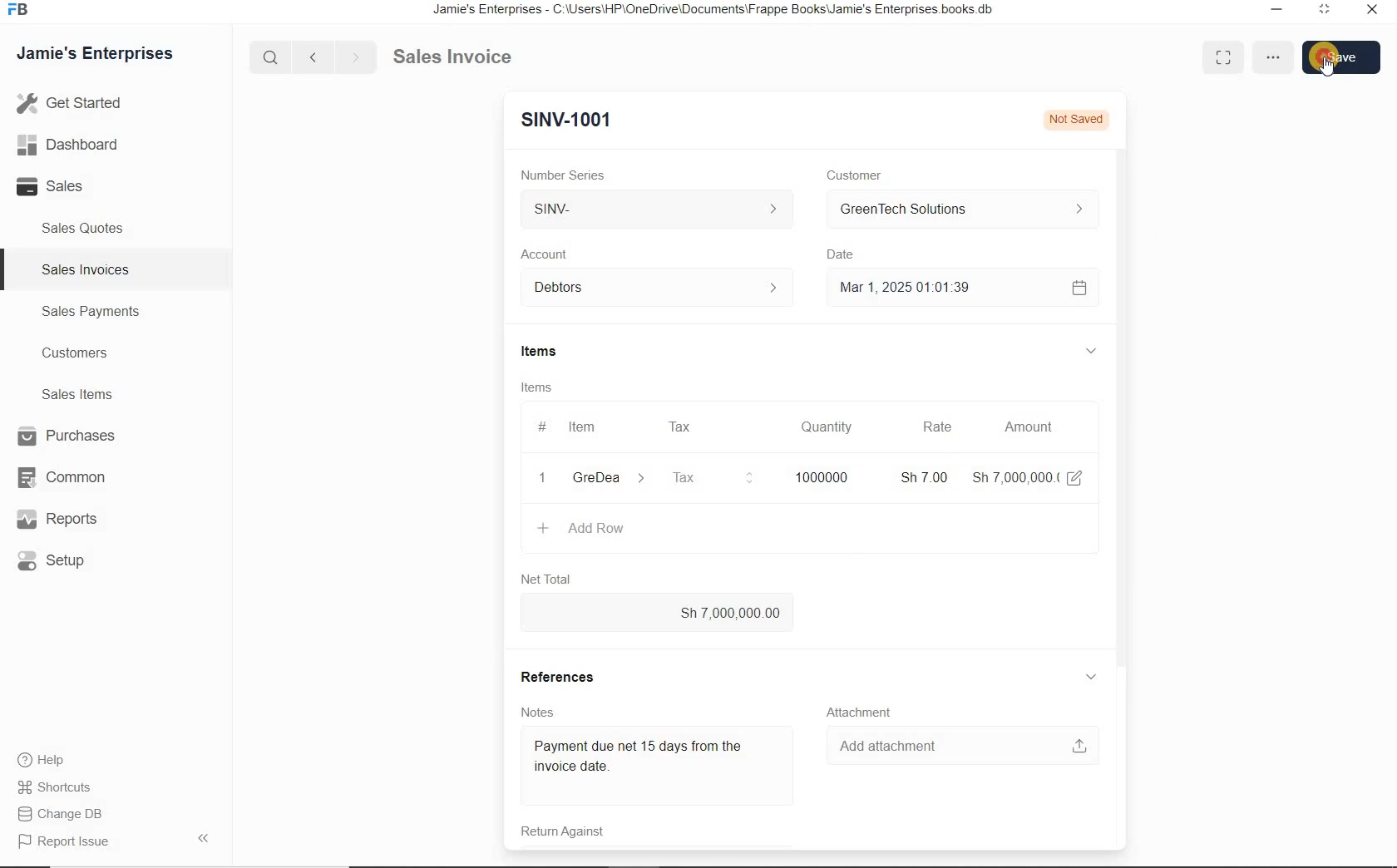  I want to click on , Reports, so click(60, 520).